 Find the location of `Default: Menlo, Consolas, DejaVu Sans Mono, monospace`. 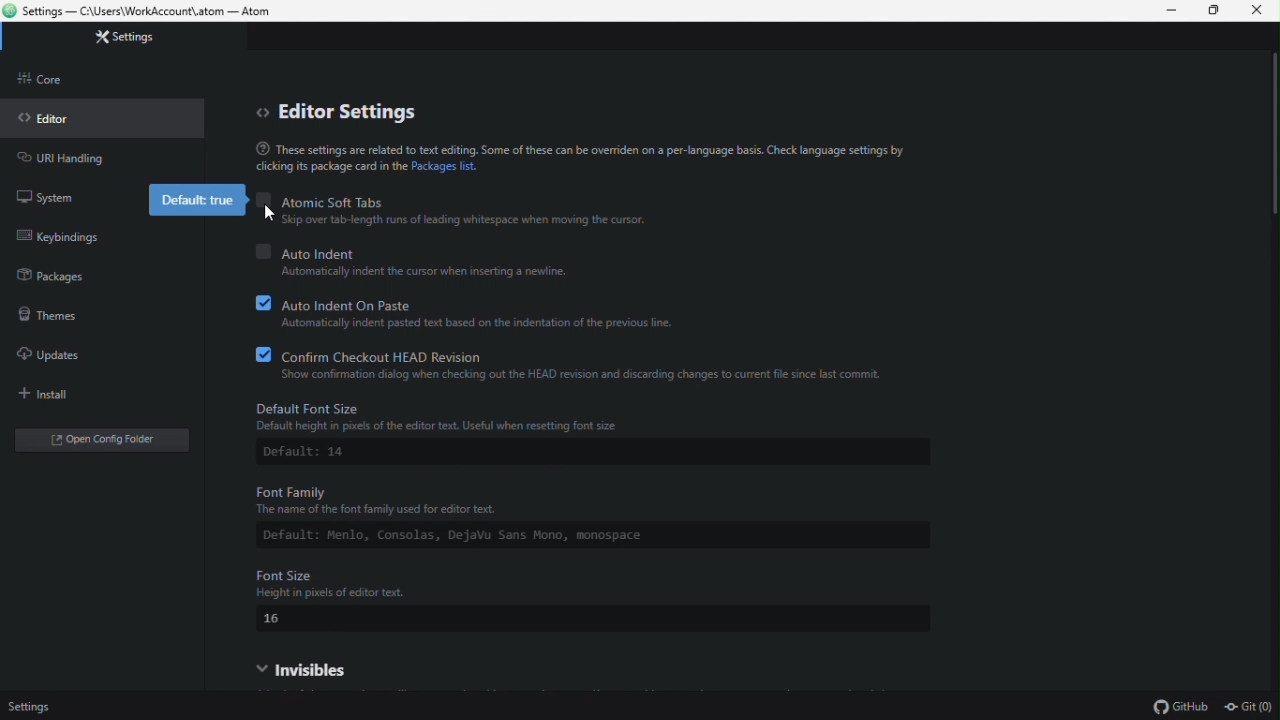

Default: Menlo, Consolas, DejaVu Sans Mono, monospace is located at coordinates (582, 536).